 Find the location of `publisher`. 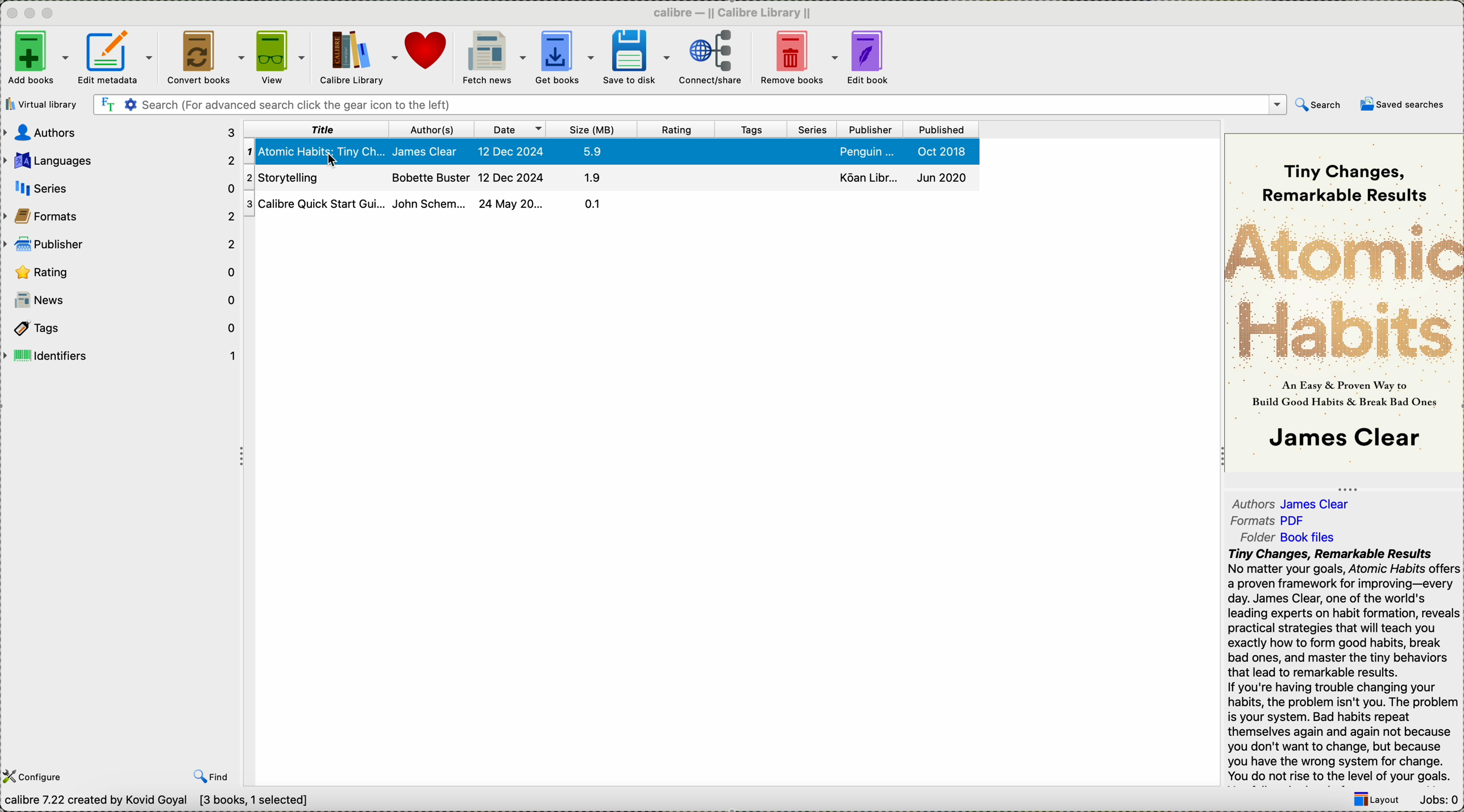

publisher is located at coordinates (121, 243).